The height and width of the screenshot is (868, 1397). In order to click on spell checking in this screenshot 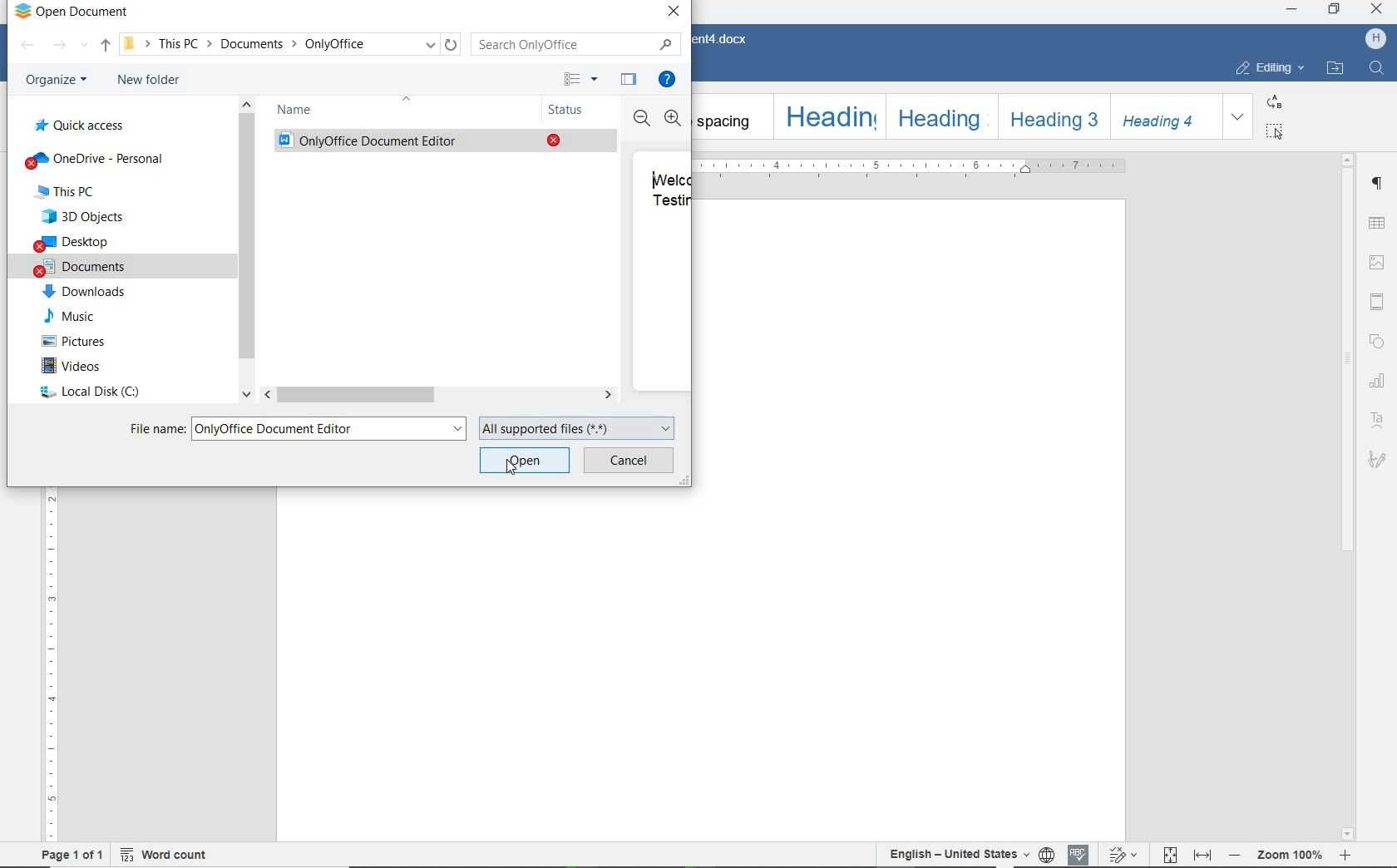, I will do `click(1080, 854)`.